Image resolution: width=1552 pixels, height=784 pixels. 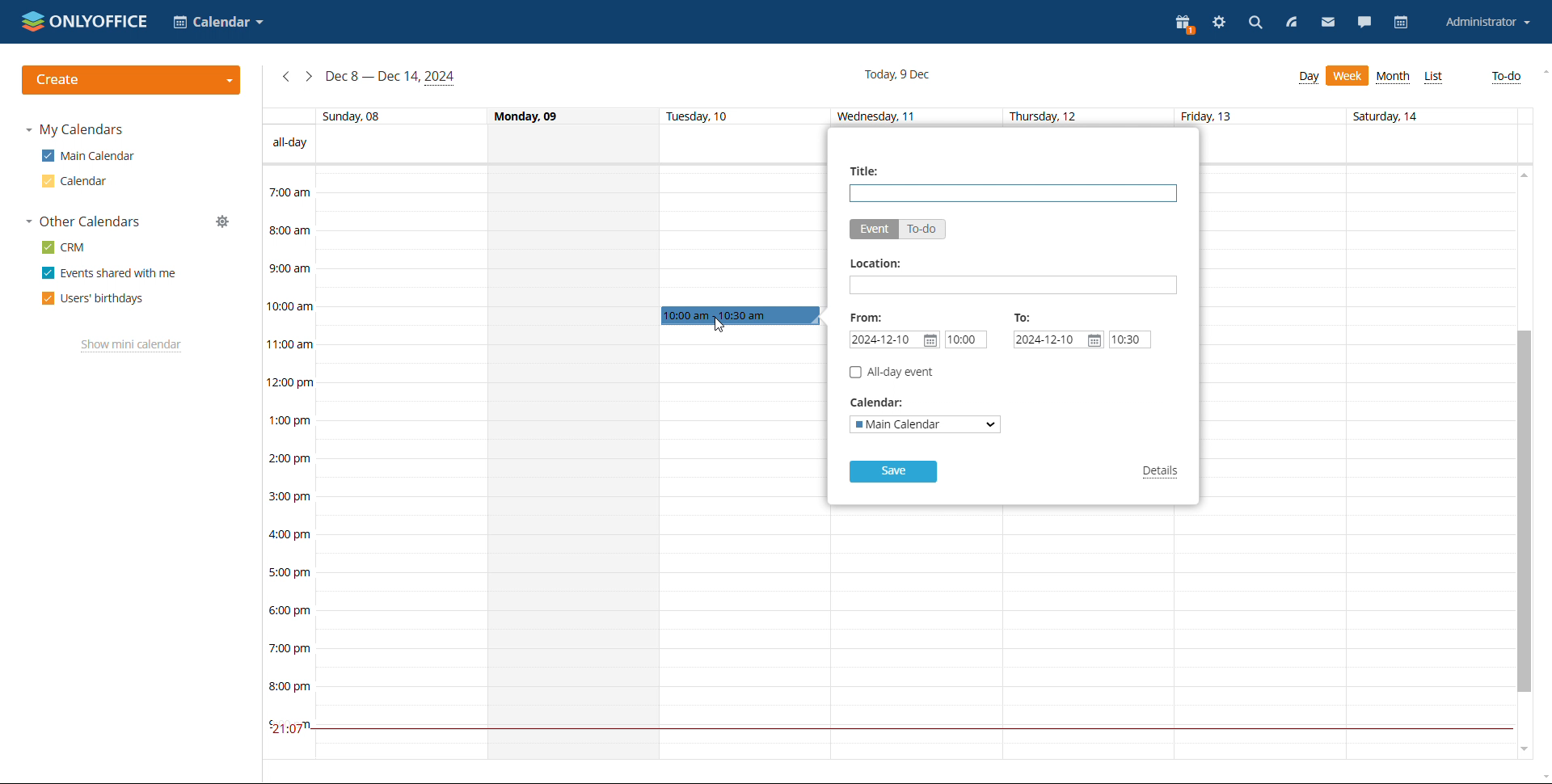 I want to click on account, so click(x=1485, y=23).